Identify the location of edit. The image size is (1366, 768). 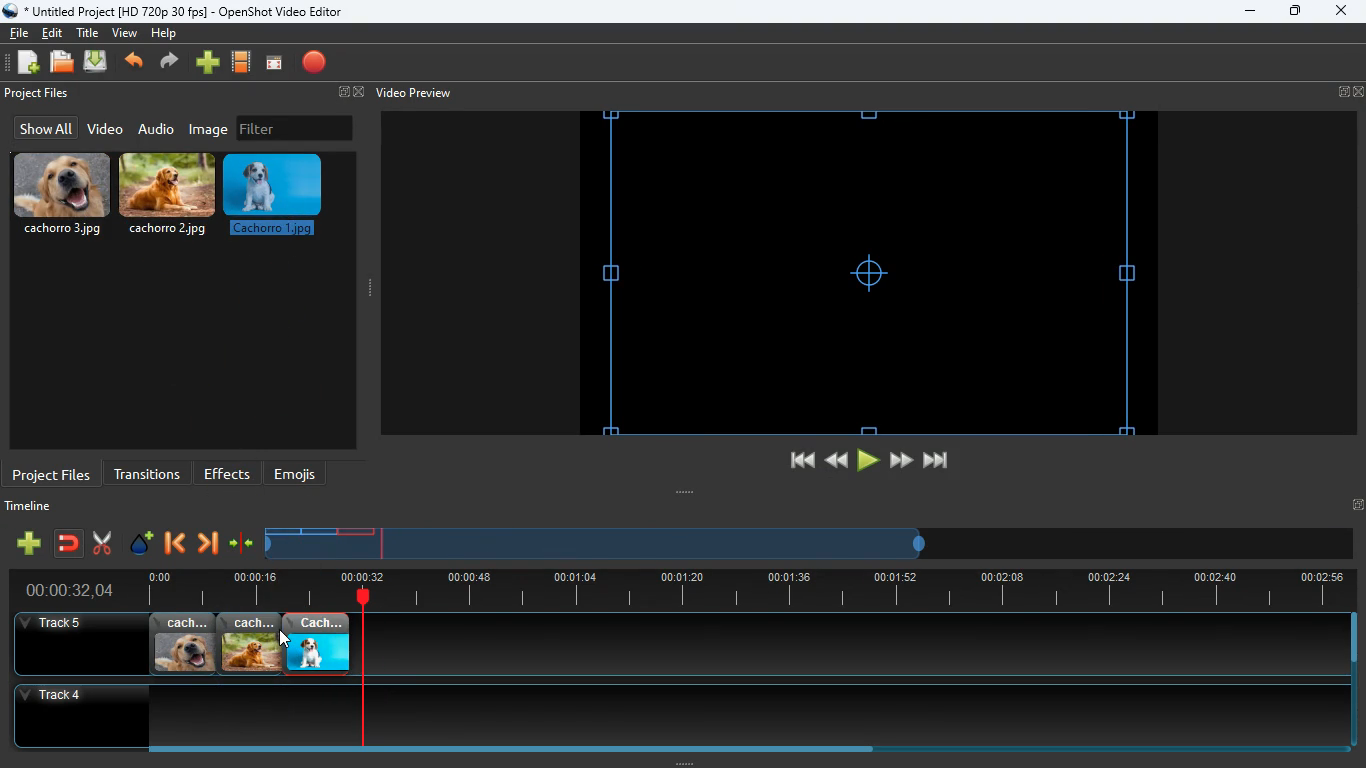
(55, 33).